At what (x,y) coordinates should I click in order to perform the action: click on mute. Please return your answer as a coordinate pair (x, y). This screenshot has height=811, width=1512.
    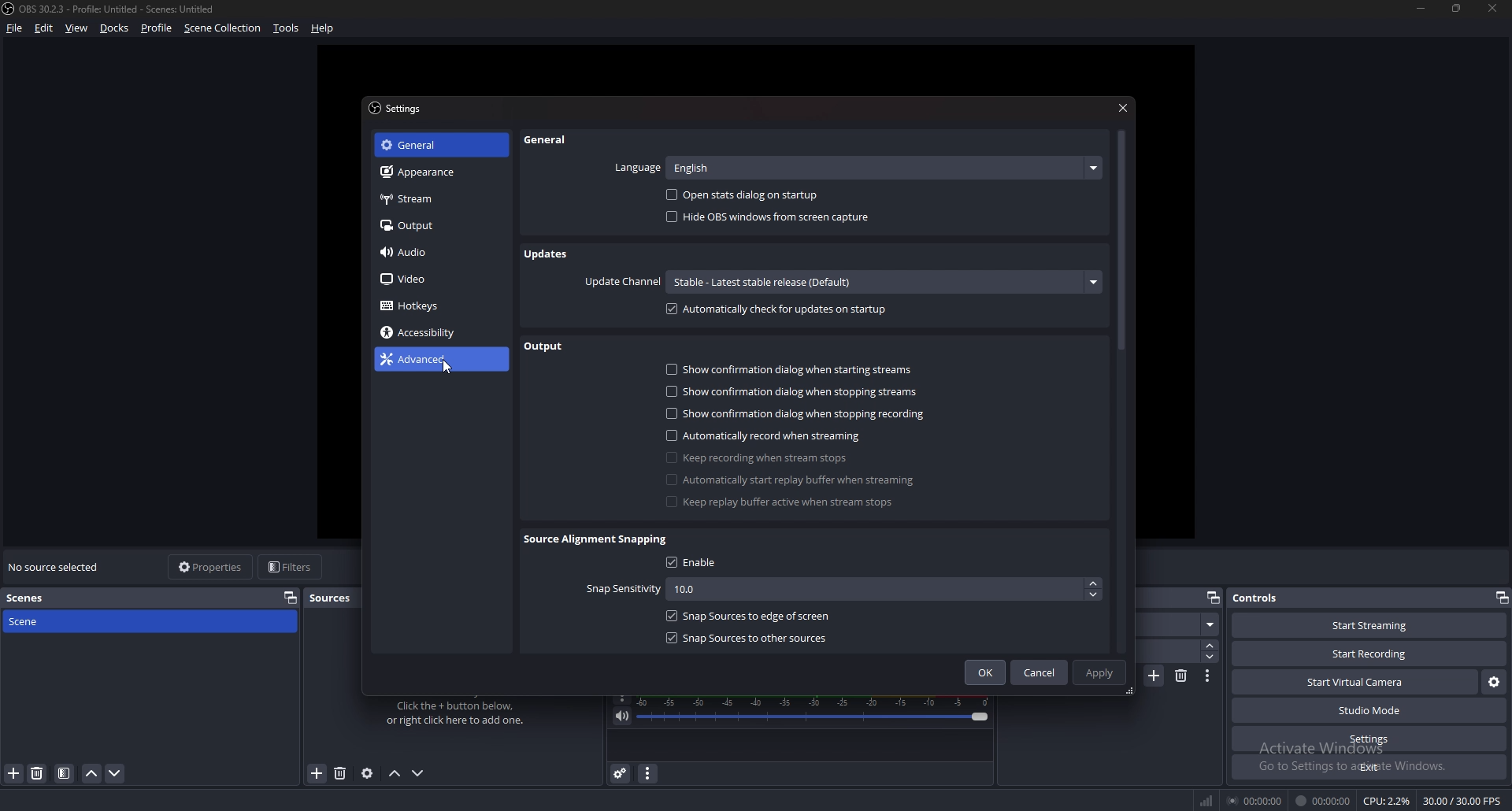
    Looking at the image, I should click on (622, 717).